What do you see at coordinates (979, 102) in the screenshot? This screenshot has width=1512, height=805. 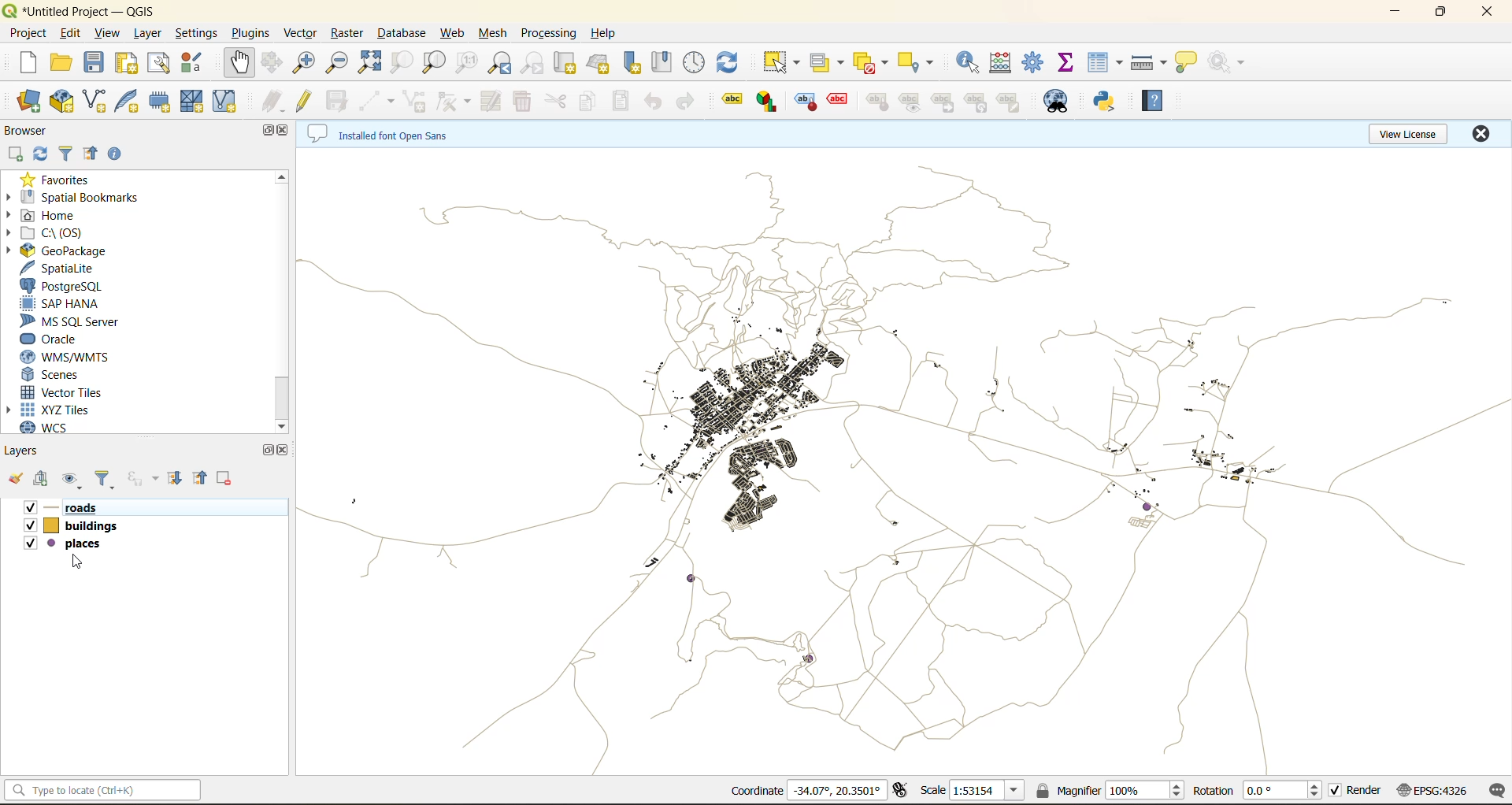 I see `rotate a label` at bounding box center [979, 102].